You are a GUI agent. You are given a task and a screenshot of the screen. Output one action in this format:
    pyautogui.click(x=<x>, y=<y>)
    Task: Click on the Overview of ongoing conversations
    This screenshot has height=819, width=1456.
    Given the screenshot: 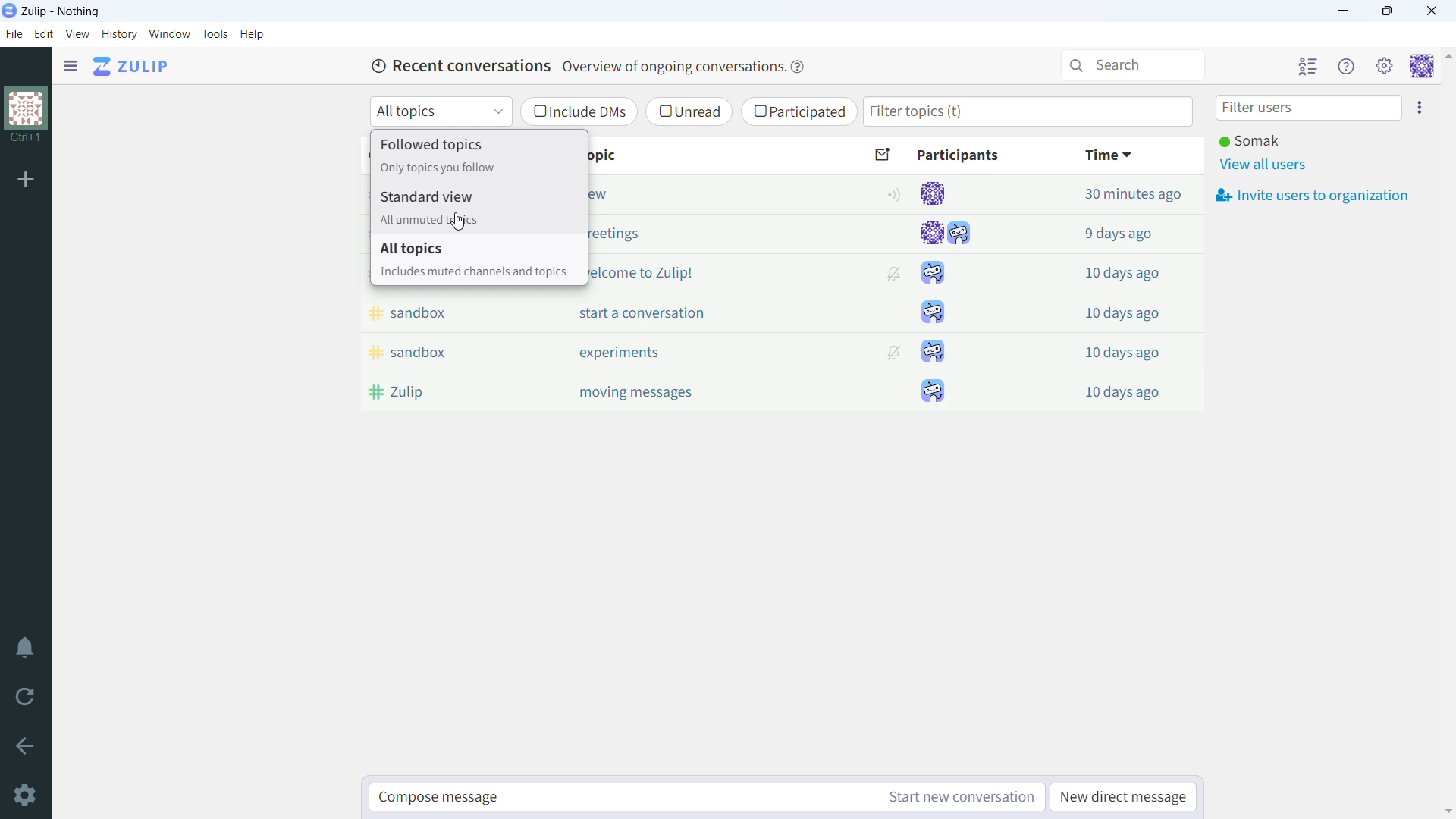 What is the action you would take?
    pyautogui.click(x=672, y=66)
    